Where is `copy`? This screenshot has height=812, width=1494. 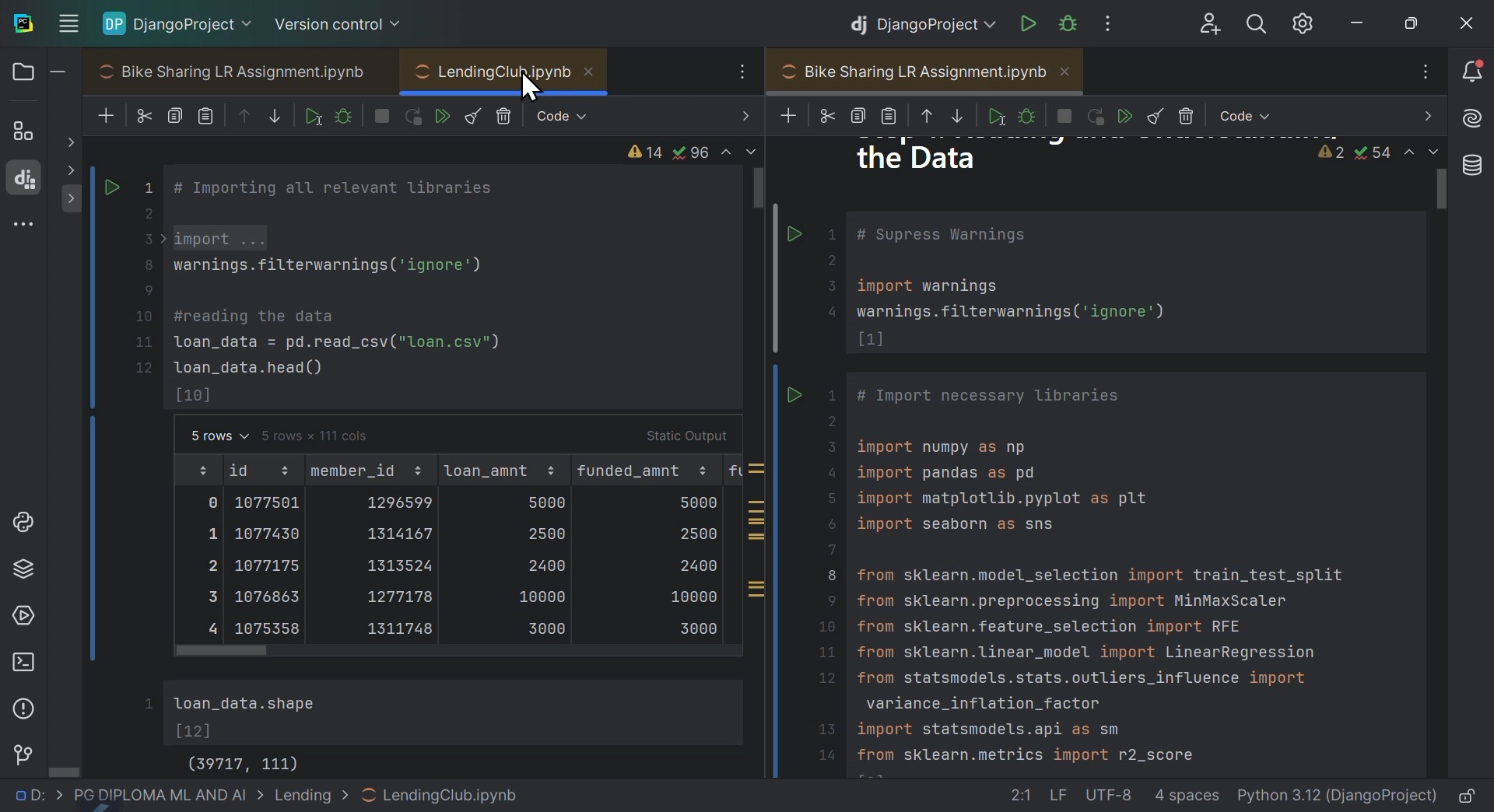
copy is located at coordinates (174, 115).